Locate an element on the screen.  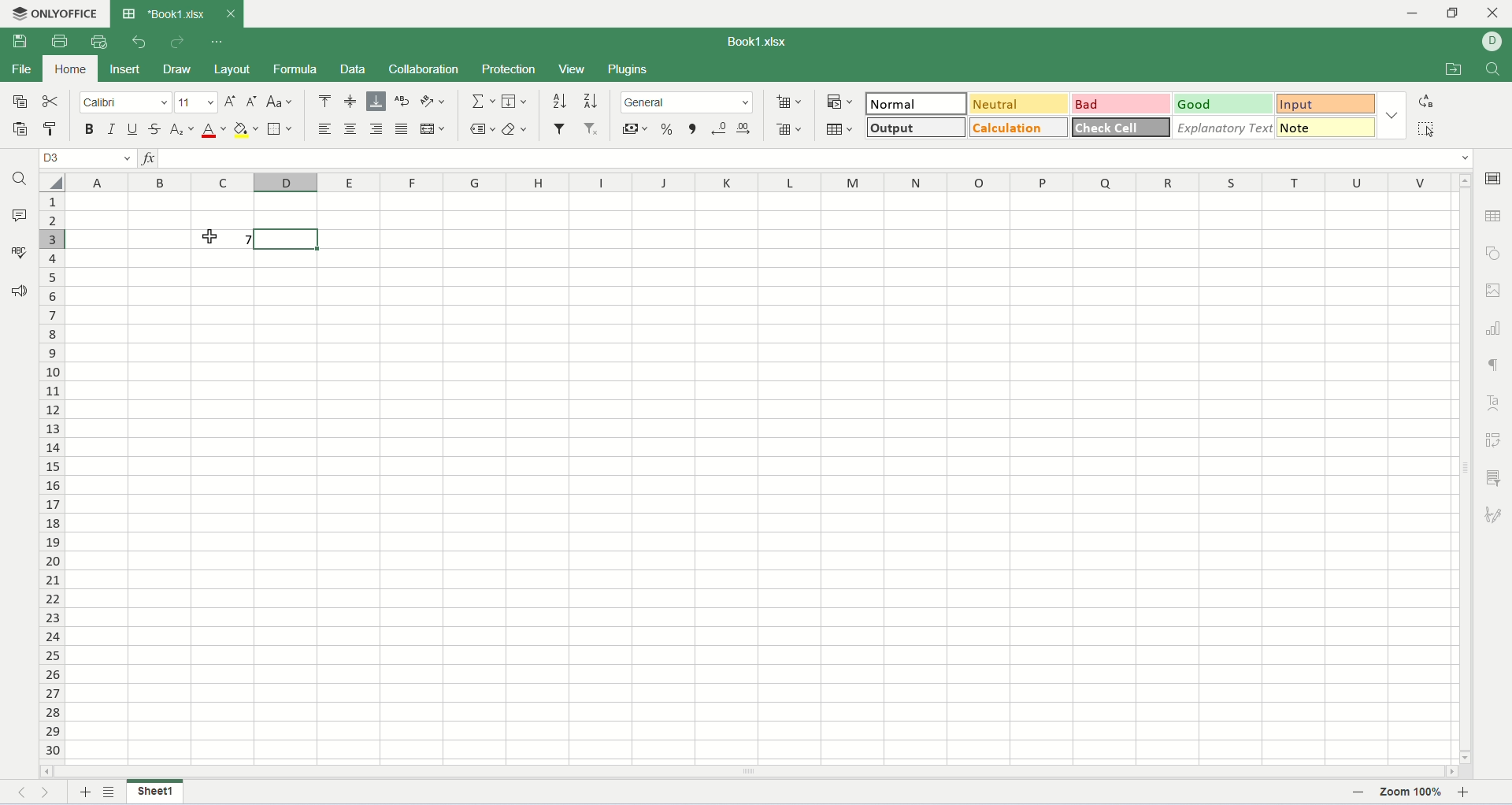
maximize is located at coordinates (1455, 13).